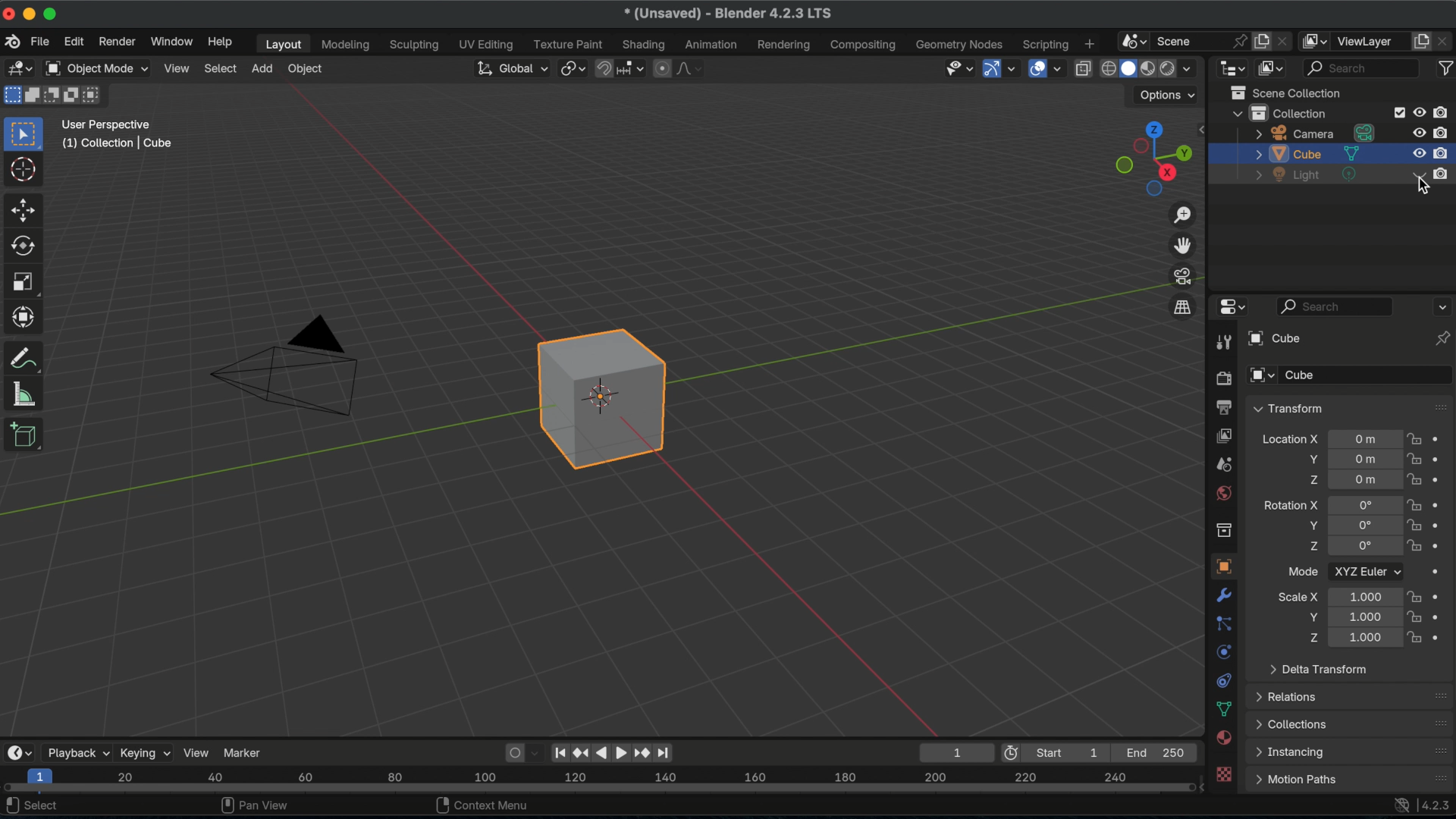 The image size is (1456, 819). What do you see at coordinates (1300, 570) in the screenshot?
I see `mode` at bounding box center [1300, 570].